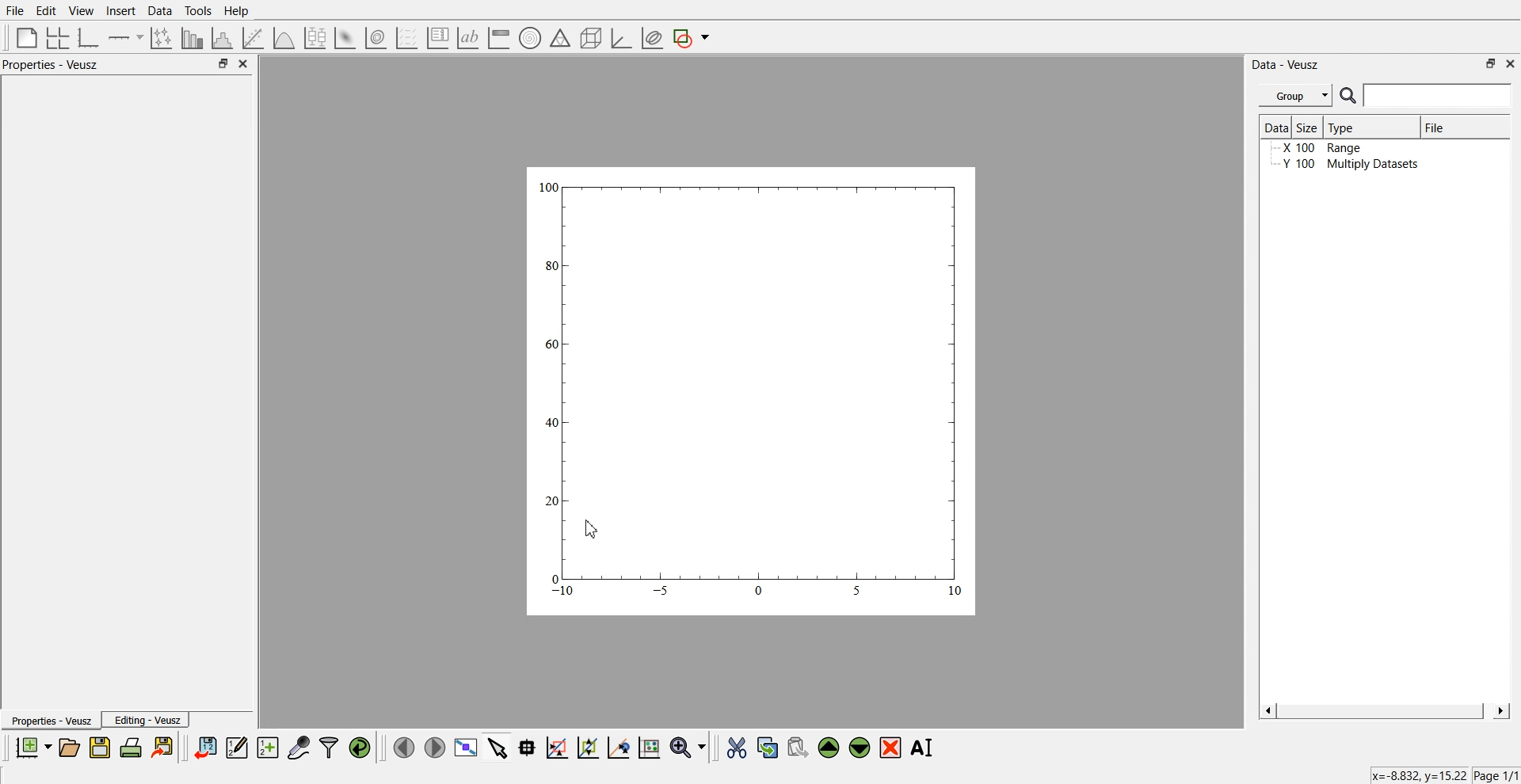  What do you see at coordinates (830, 748) in the screenshot?
I see `move the selected widgets up` at bounding box center [830, 748].